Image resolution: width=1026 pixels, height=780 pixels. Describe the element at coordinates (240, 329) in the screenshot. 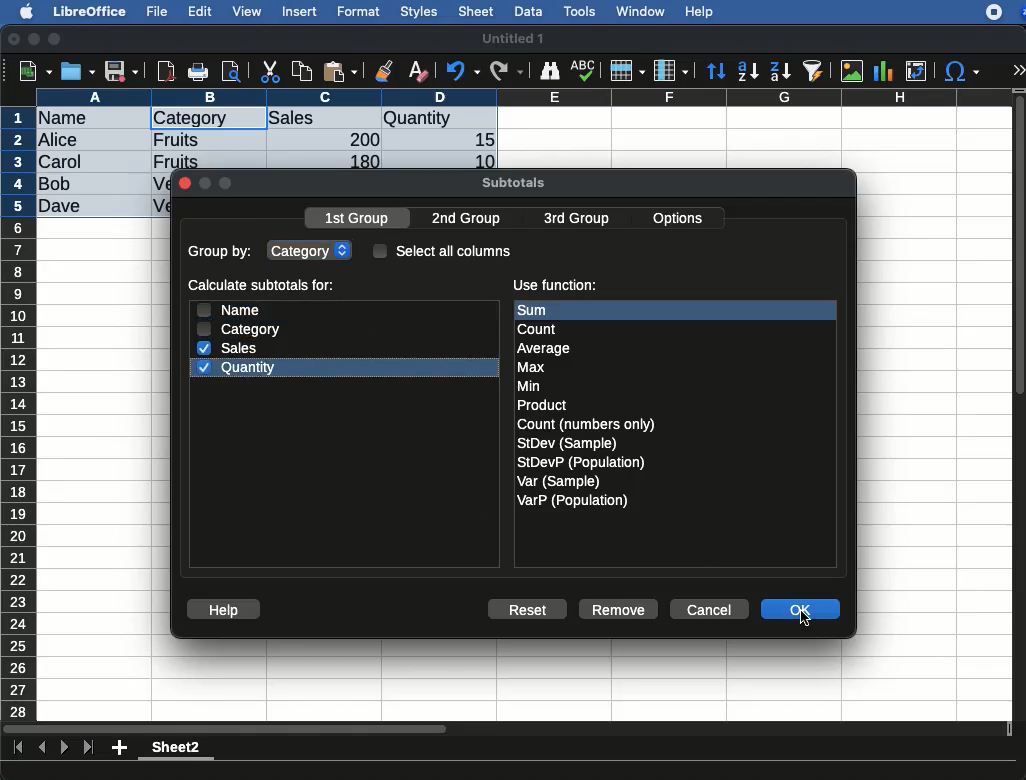

I see `category ` at that location.